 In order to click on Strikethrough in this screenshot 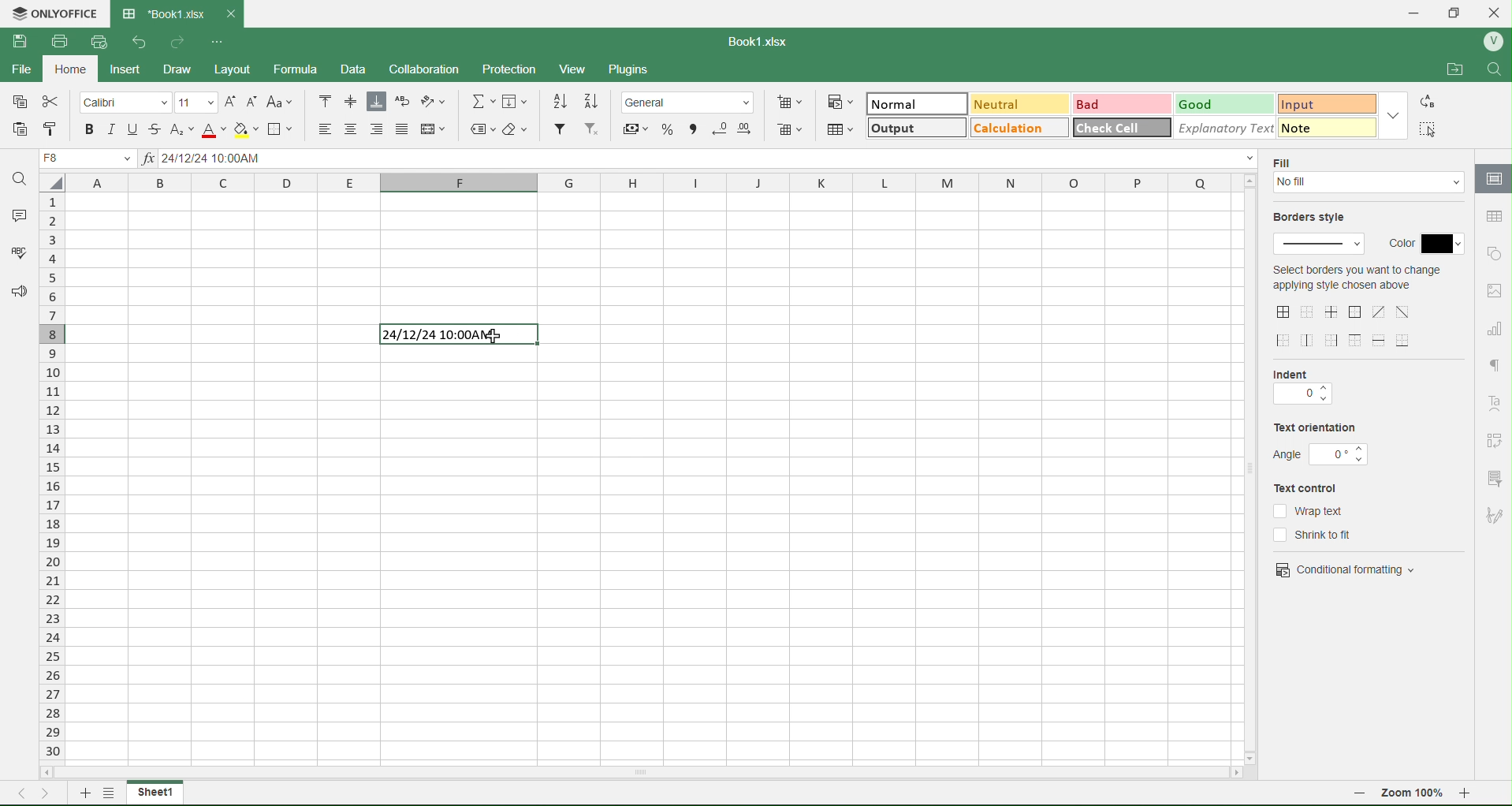, I will do `click(157, 128)`.